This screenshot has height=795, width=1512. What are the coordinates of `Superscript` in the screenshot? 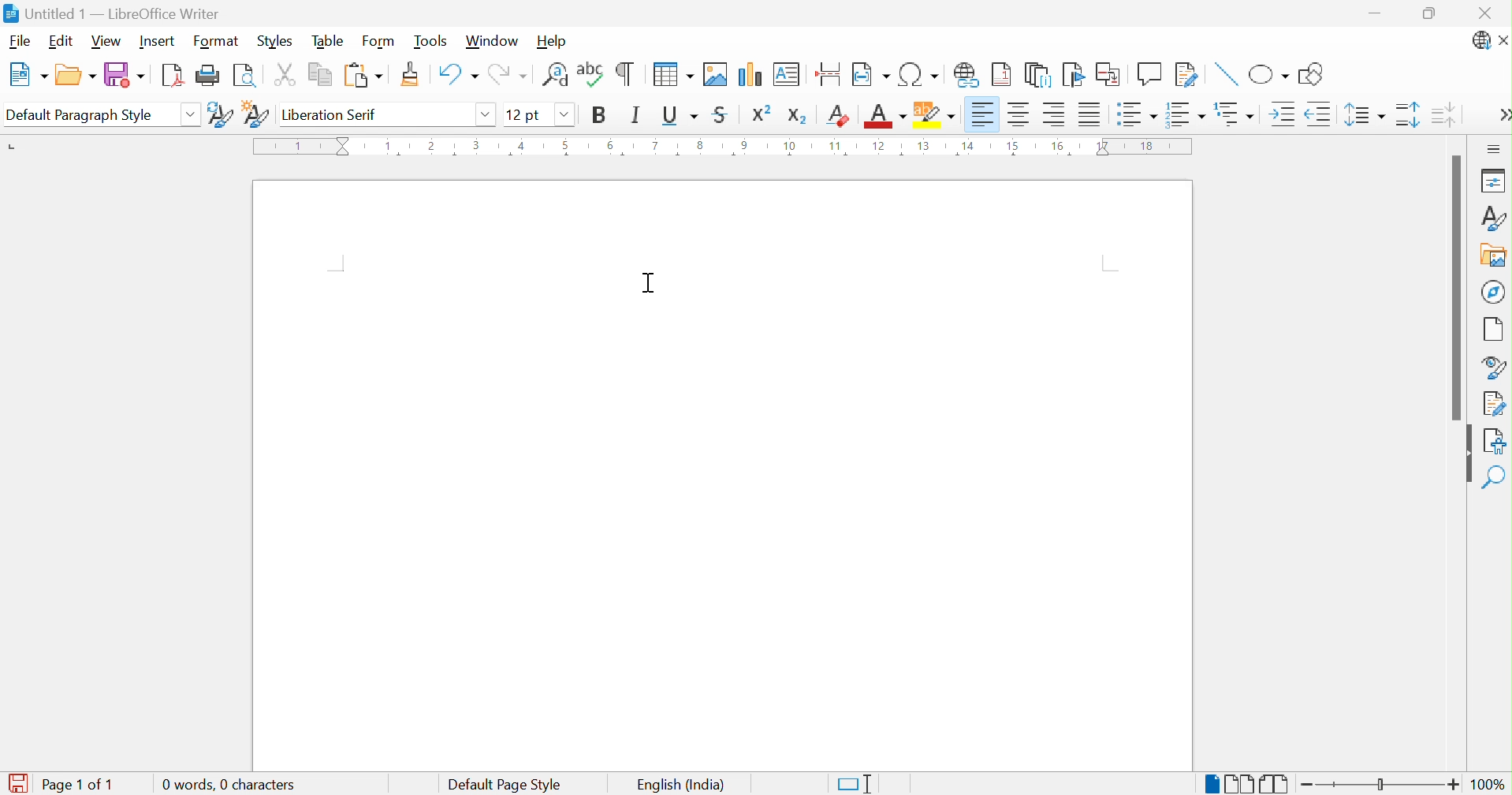 It's located at (762, 114).